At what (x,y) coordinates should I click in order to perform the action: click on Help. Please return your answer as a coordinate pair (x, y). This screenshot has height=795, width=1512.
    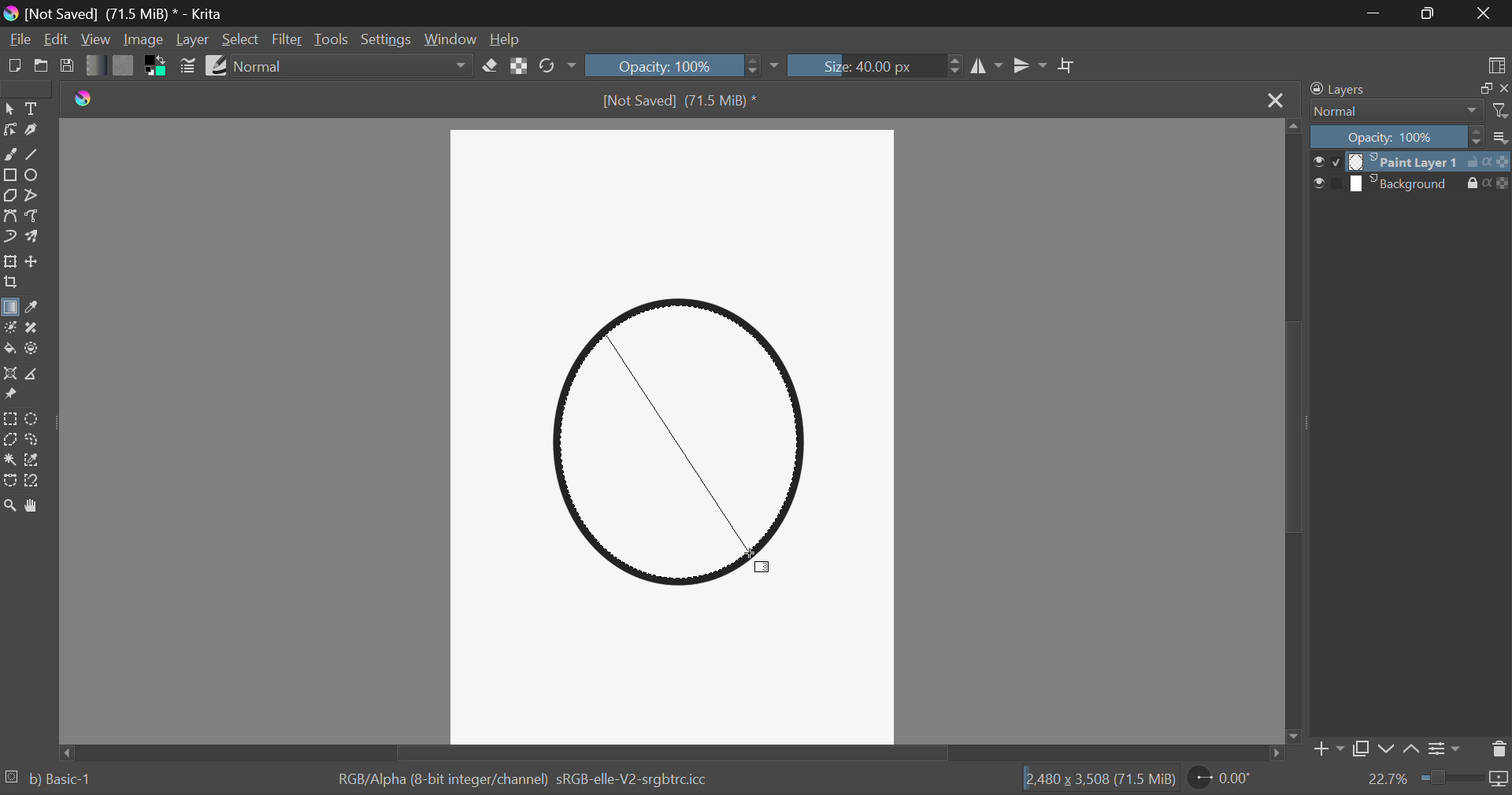
    Looking at the image, I should click on (509, 39).